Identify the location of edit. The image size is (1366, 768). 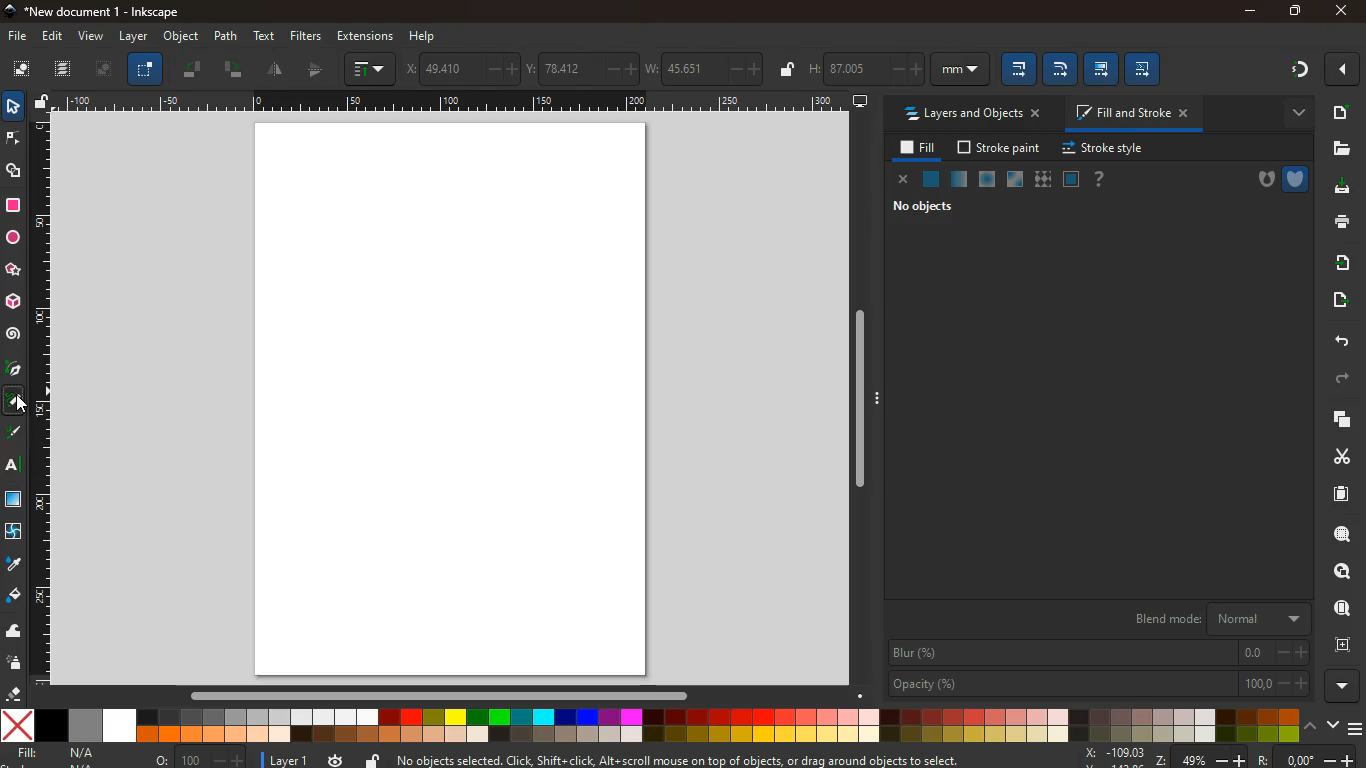
(1059, 69).